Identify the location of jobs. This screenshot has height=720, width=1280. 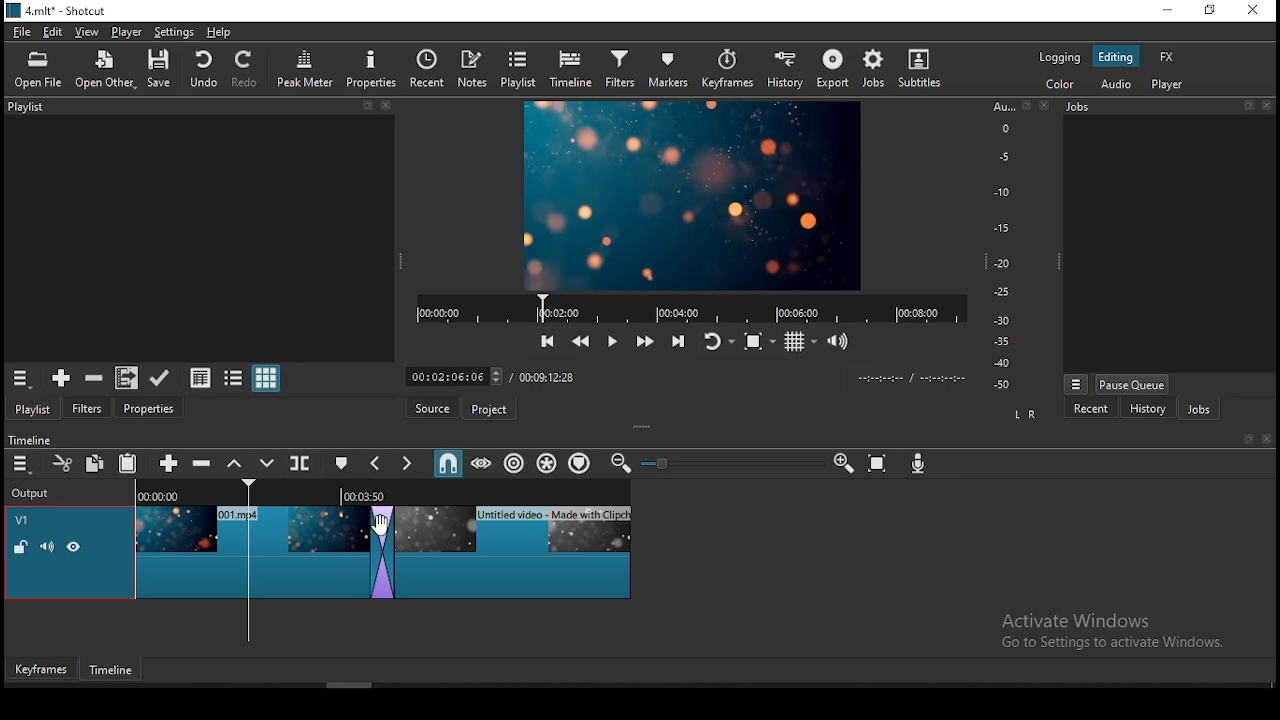
(871, 69).